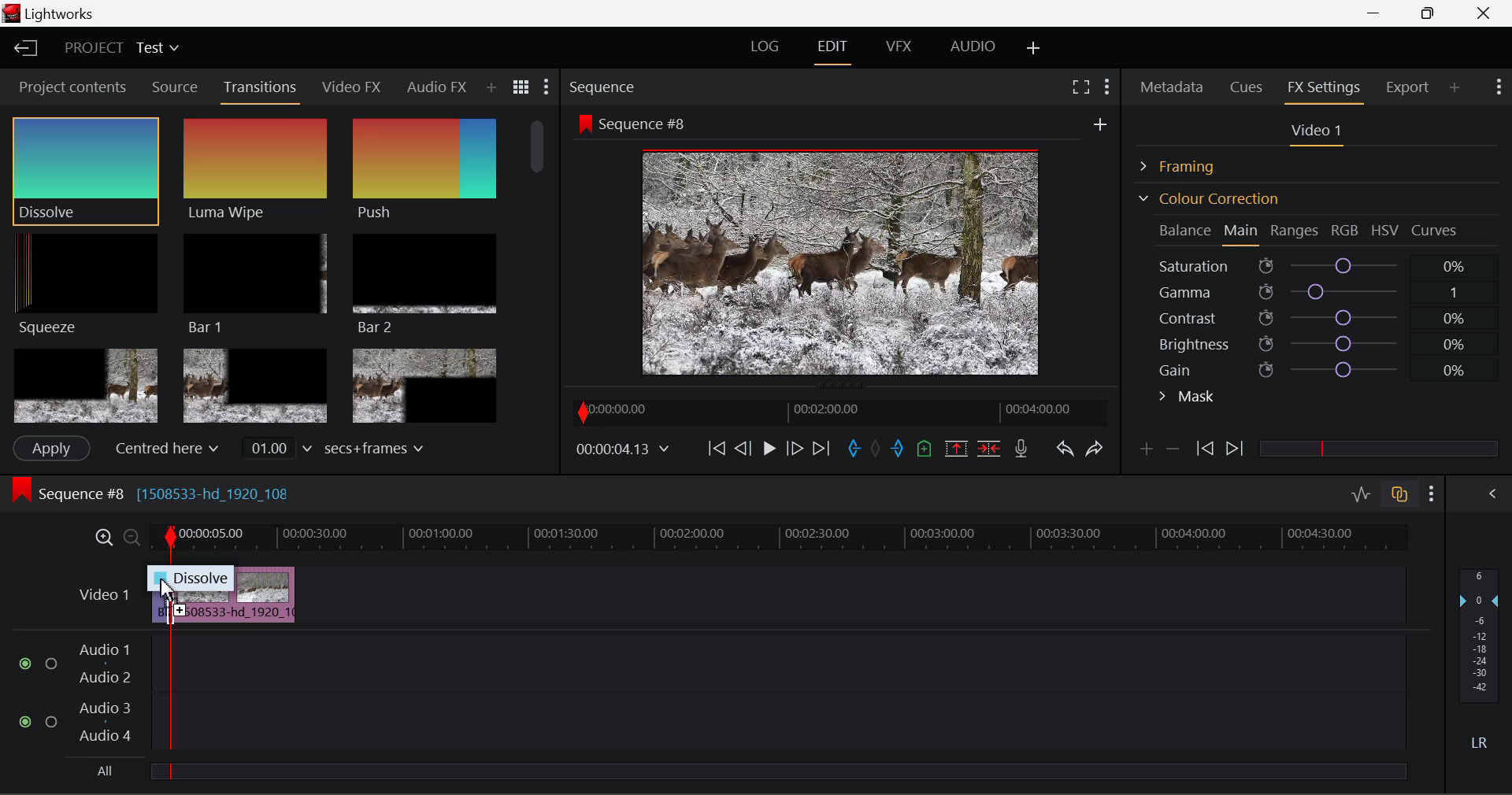  What do you see at coordinates (256, 387) in the screenshot?
I see `Box 2` at bounding box center [256, 387].